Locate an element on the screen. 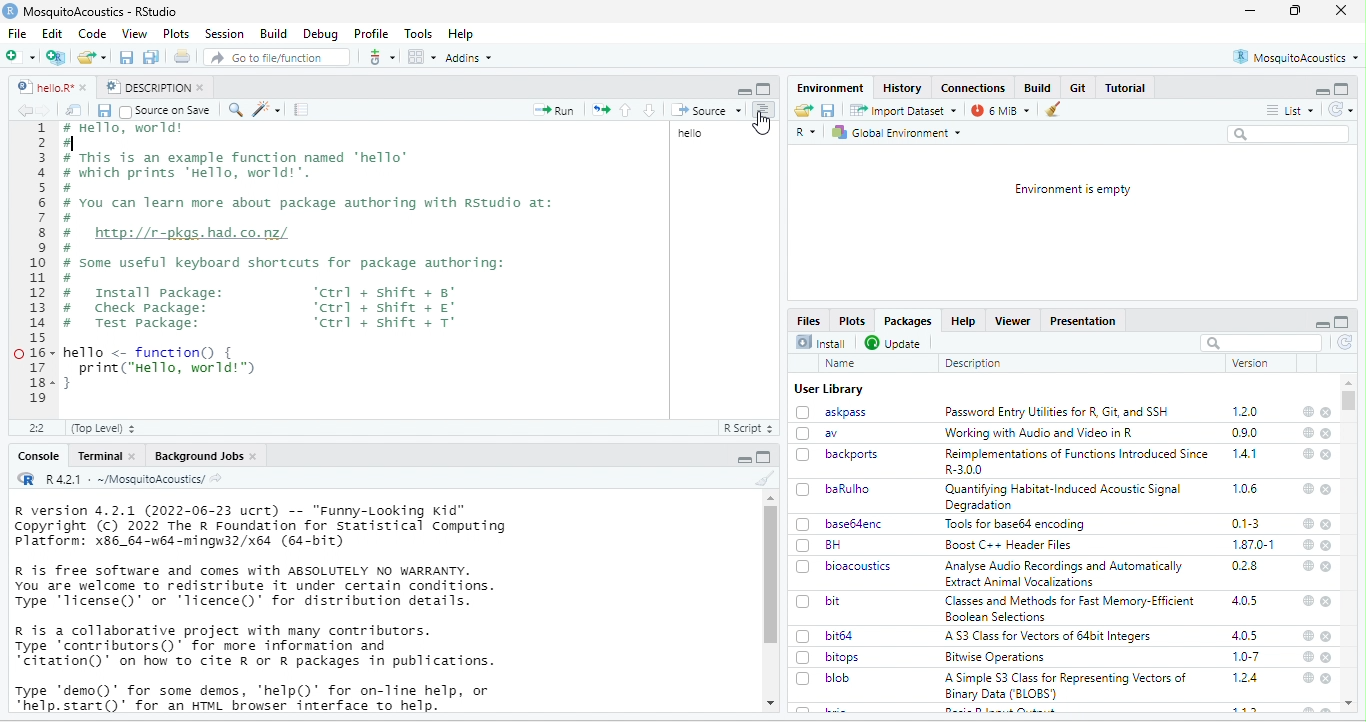 The image size is (1366, 722). Profile is located at coordinates (372, 33).